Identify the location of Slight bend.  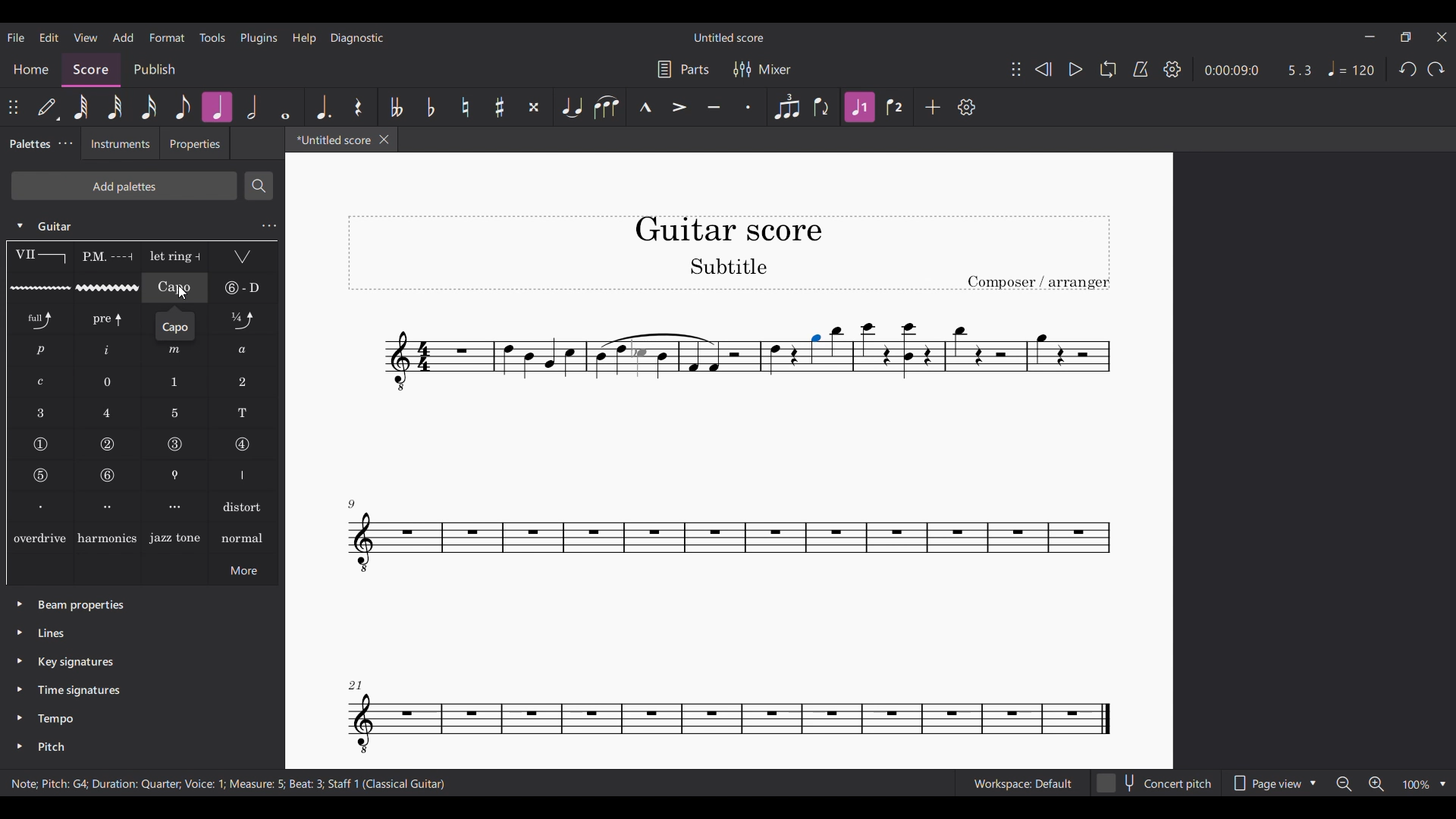
(243, 318).